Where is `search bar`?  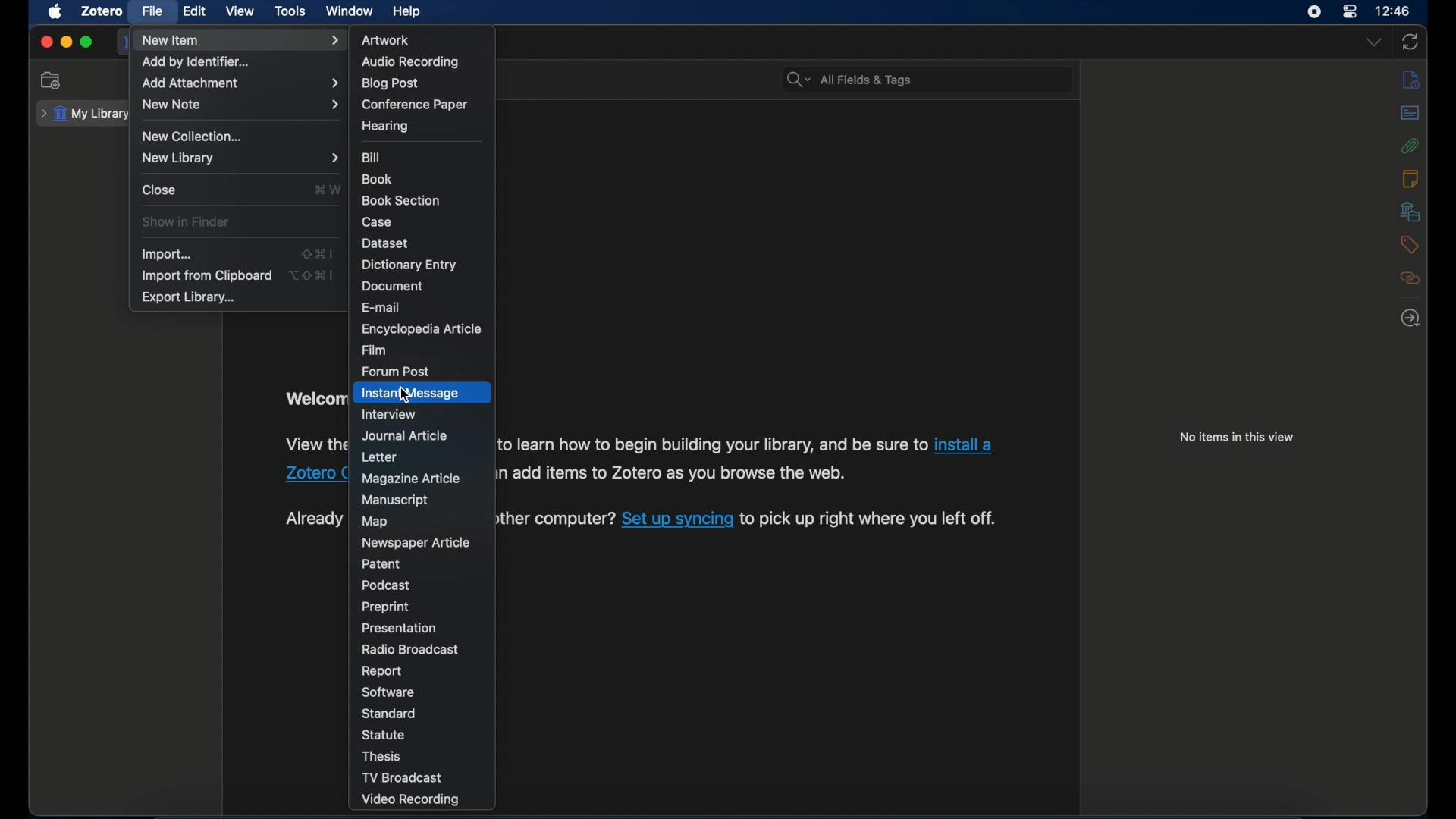 search bar is located at coordinates (849, 78).